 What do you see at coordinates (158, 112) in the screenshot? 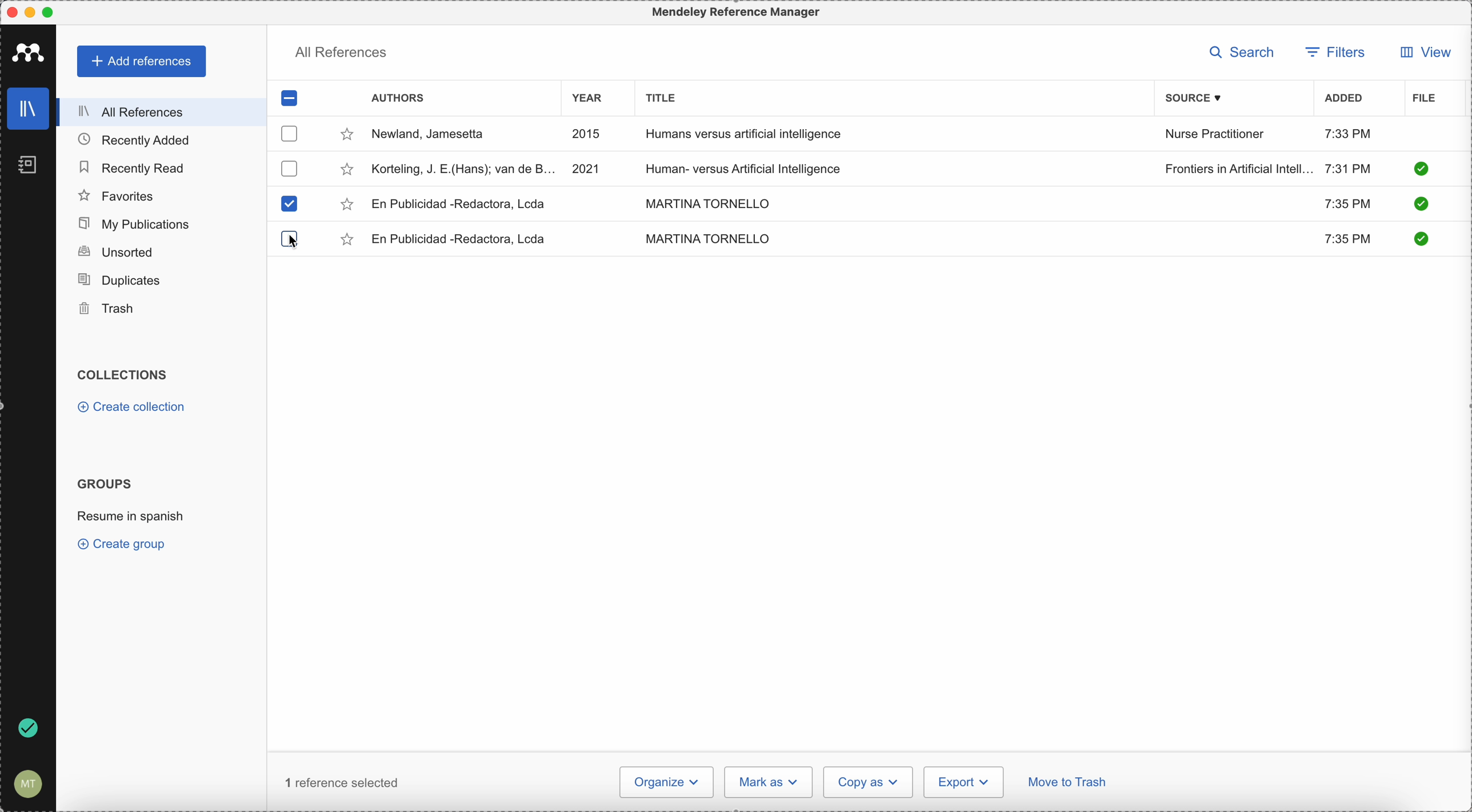
I see `all references` at bounding box center [158, 112].